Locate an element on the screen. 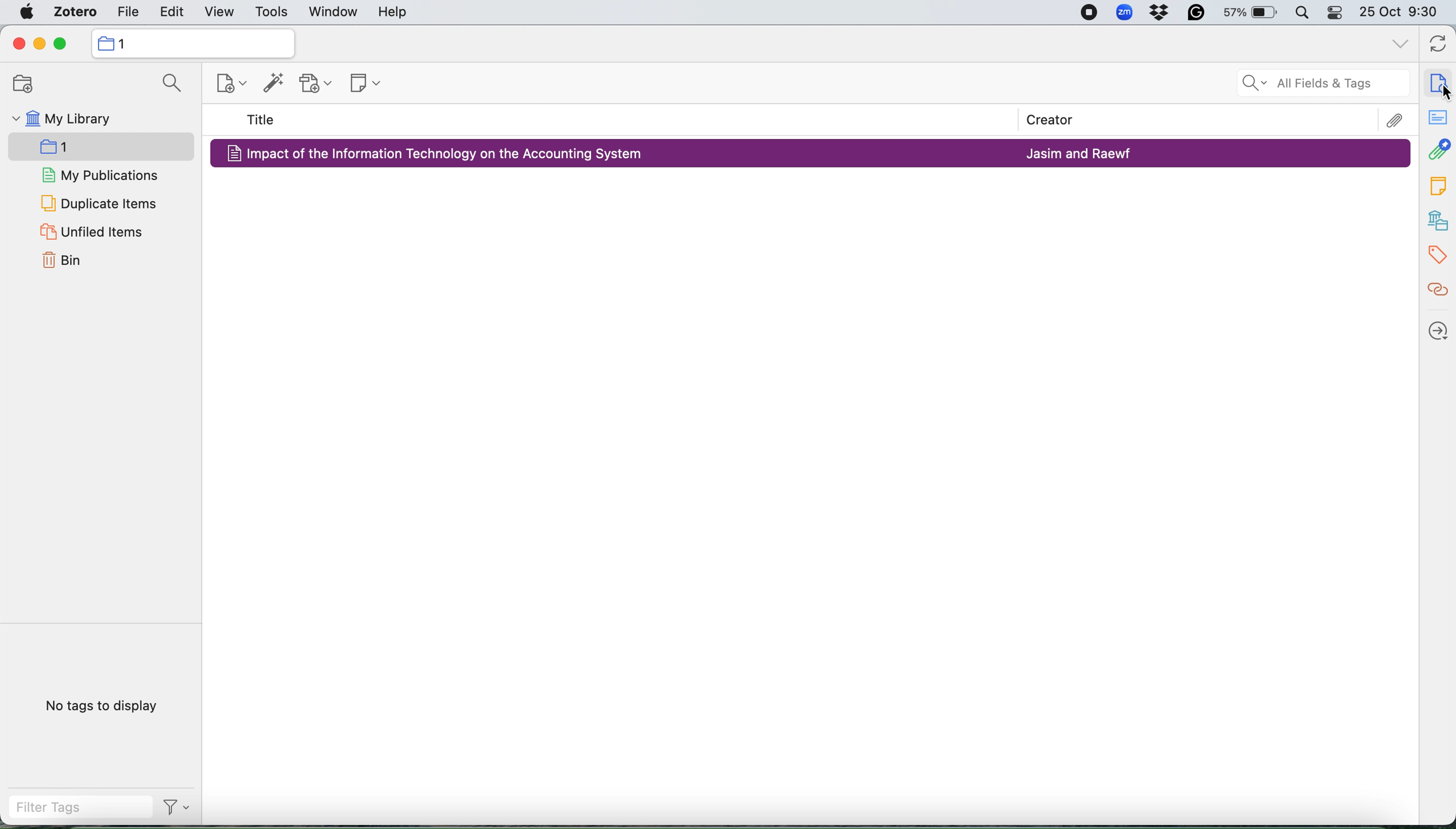 This screenshot has width=1456, height=829. add attachment is located at coordinates (317, 84).